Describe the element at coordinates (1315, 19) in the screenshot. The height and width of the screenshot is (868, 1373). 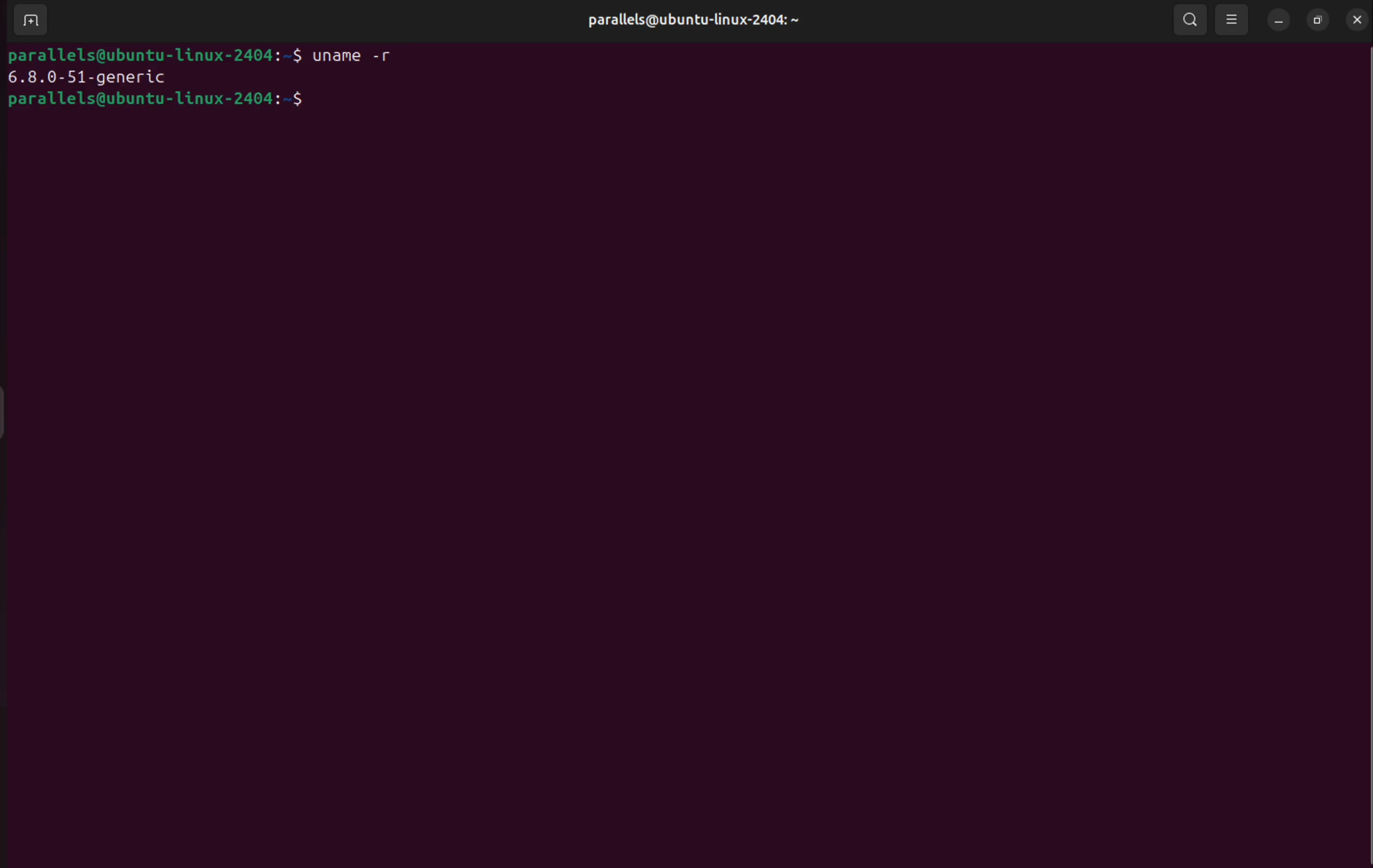
I see `resize` at that location.